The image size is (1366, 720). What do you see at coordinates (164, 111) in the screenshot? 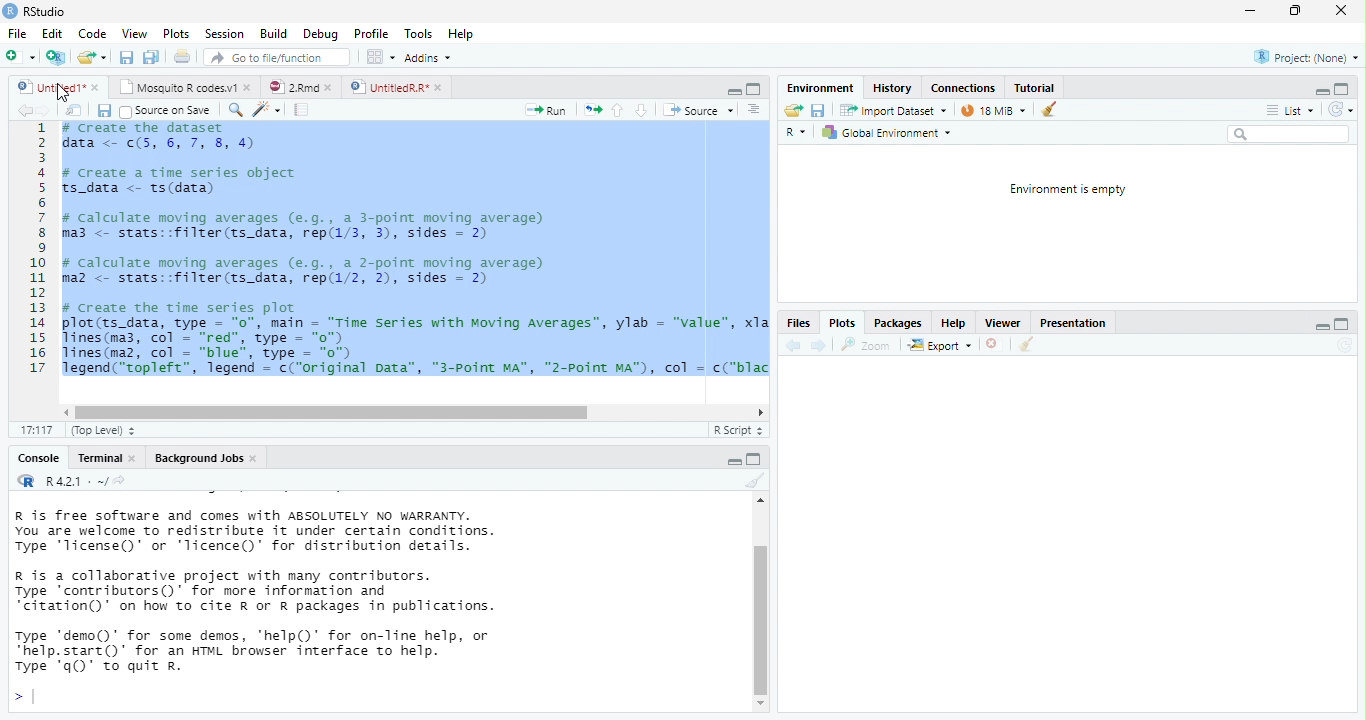
I see `Source on Save` at bounding box center [164, 111].